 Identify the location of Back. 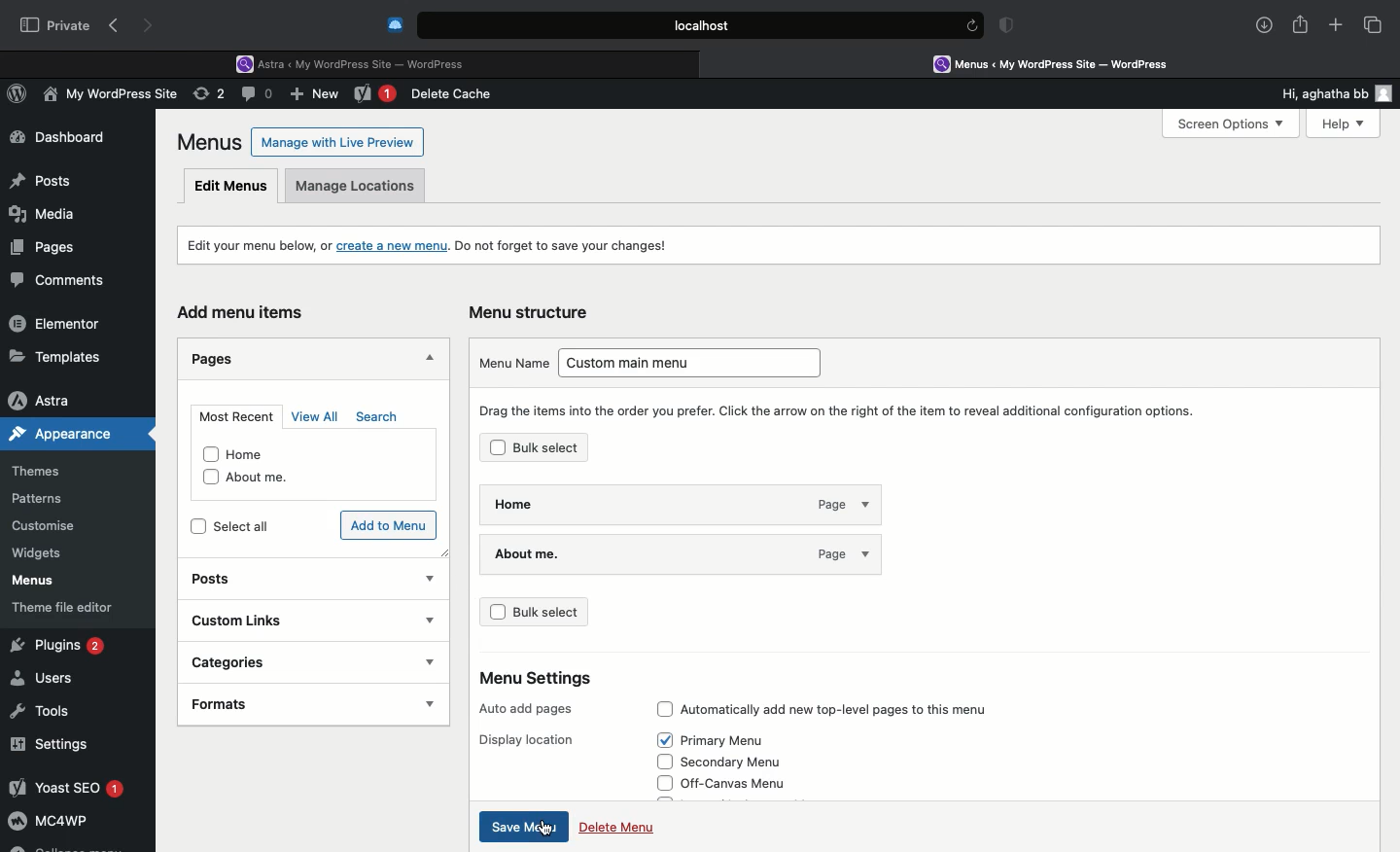
(118, 26).